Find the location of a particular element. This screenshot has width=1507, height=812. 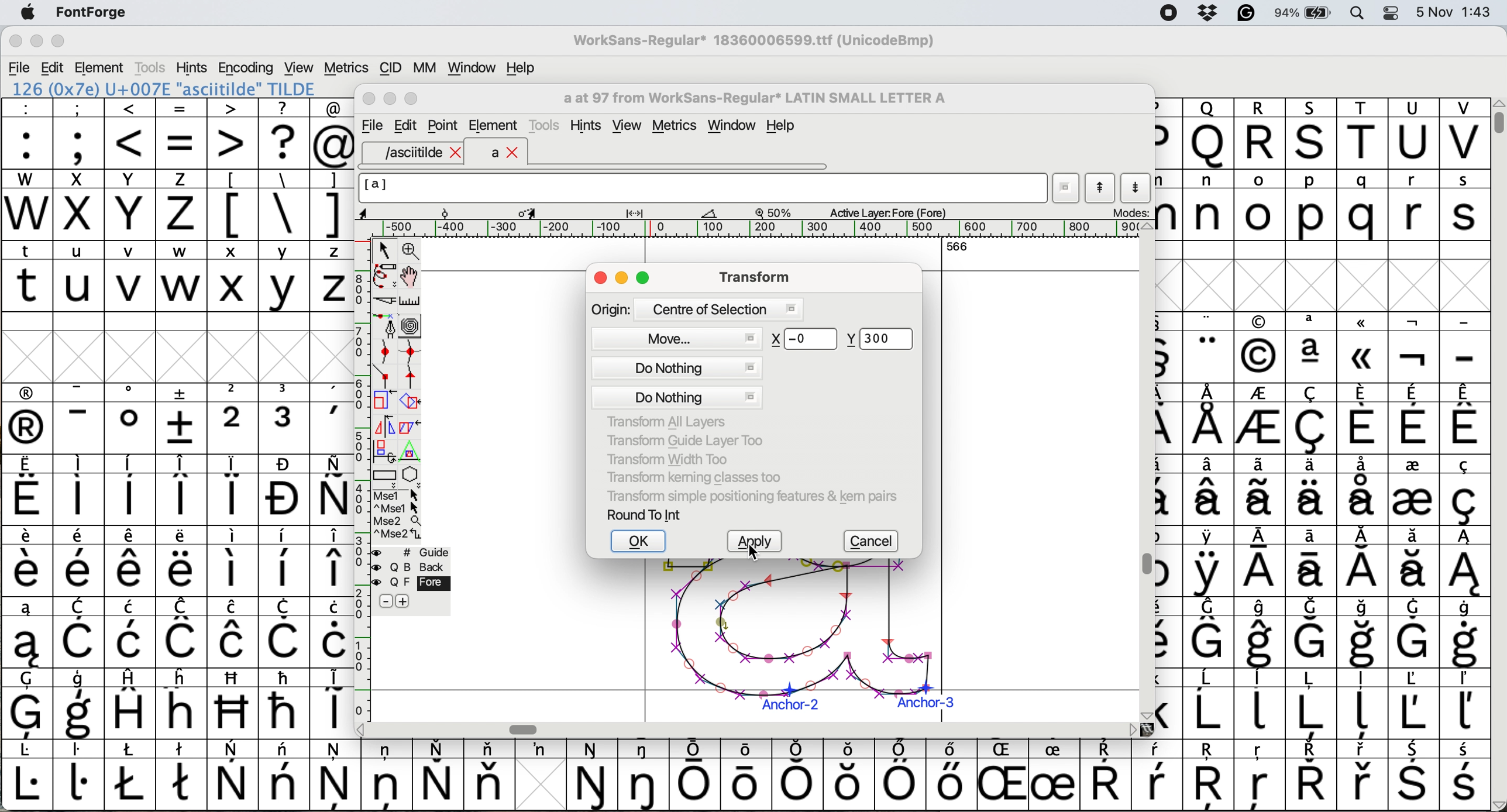

apply is located at coordinates (756, 541).